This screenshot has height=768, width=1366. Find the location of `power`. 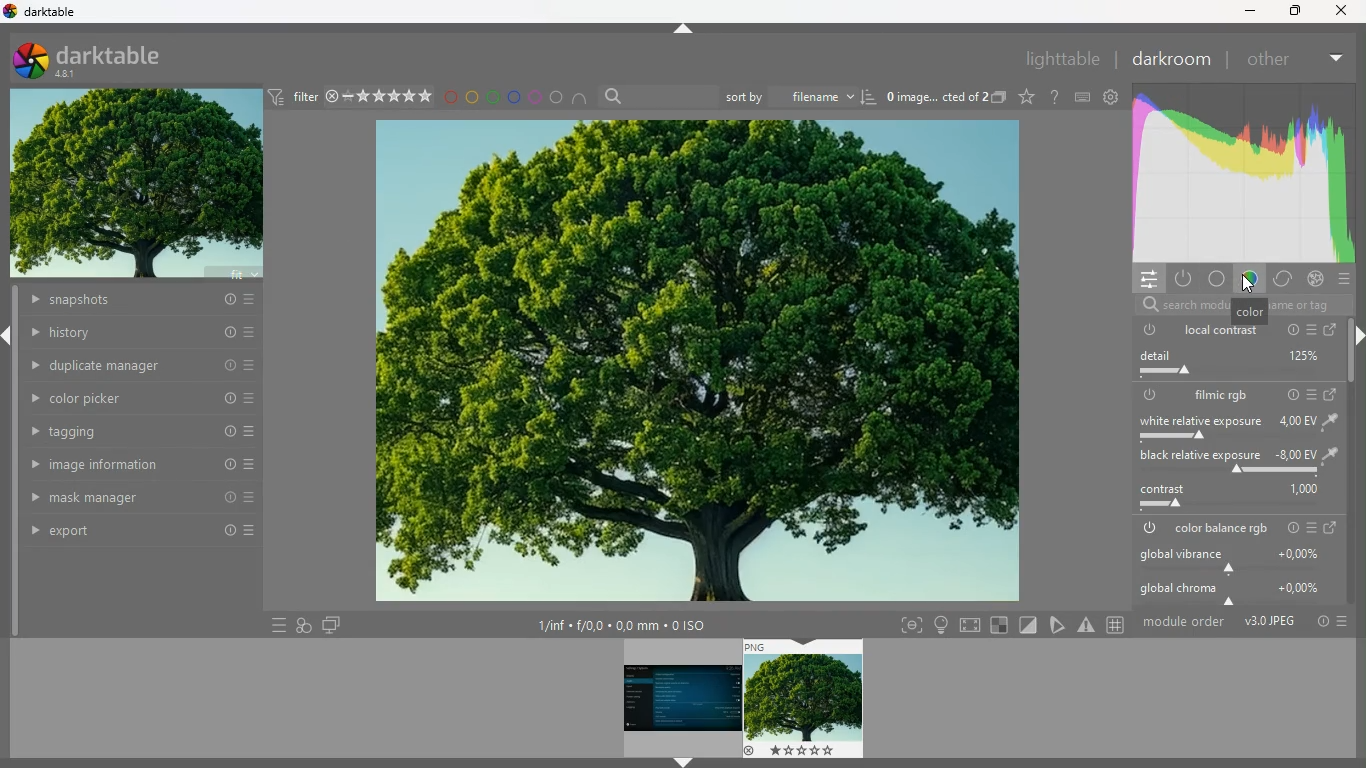

power is located at coordinates (1182, 278).